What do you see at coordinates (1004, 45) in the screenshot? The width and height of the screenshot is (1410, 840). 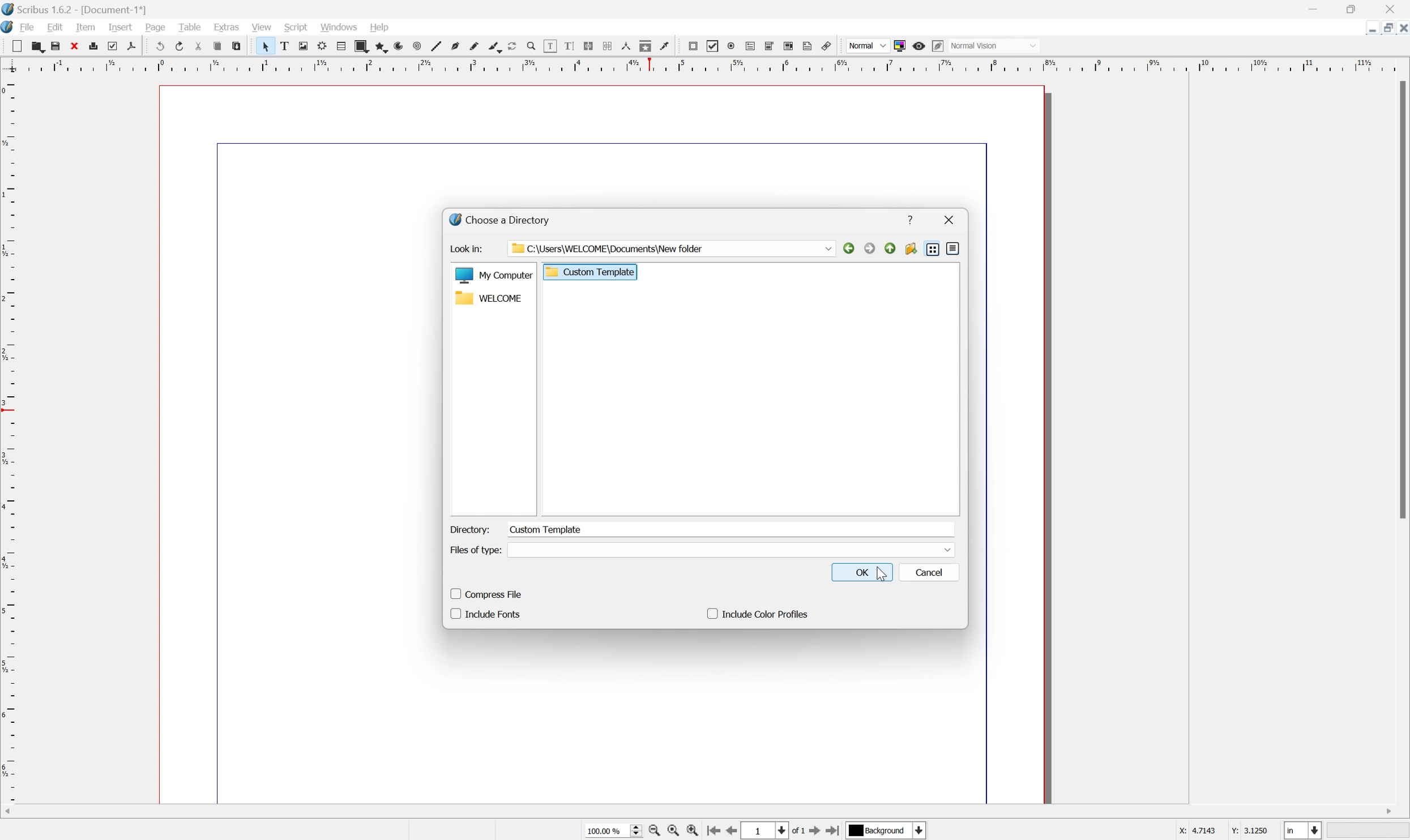 I see `Normal vision` at bounding box center [1004, 45].